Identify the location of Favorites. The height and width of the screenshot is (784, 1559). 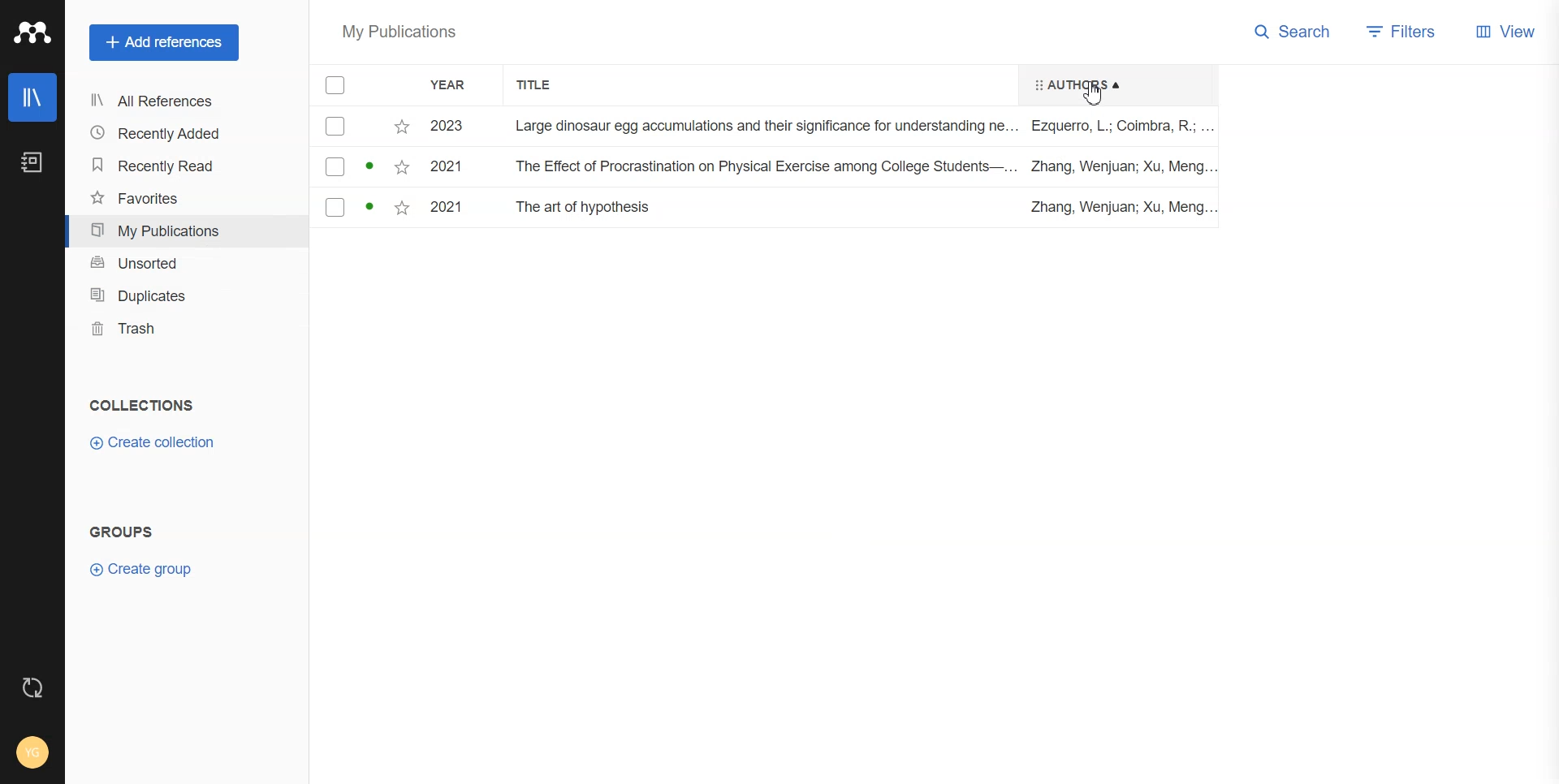
(399, 209).